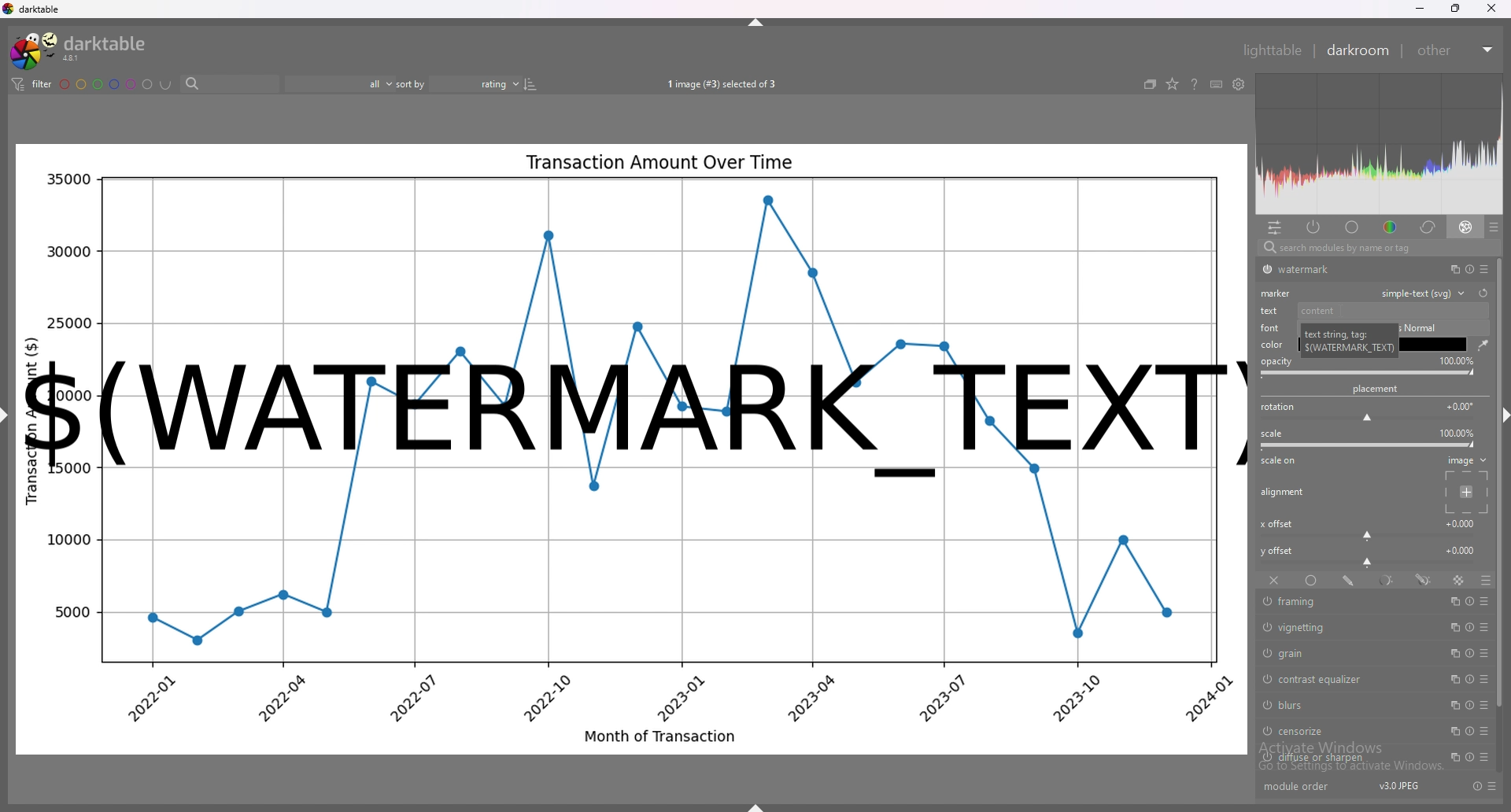 Image resolution: width=1511 pixels, height=812 pixels. I want to click on search bar, so click(226, 85).